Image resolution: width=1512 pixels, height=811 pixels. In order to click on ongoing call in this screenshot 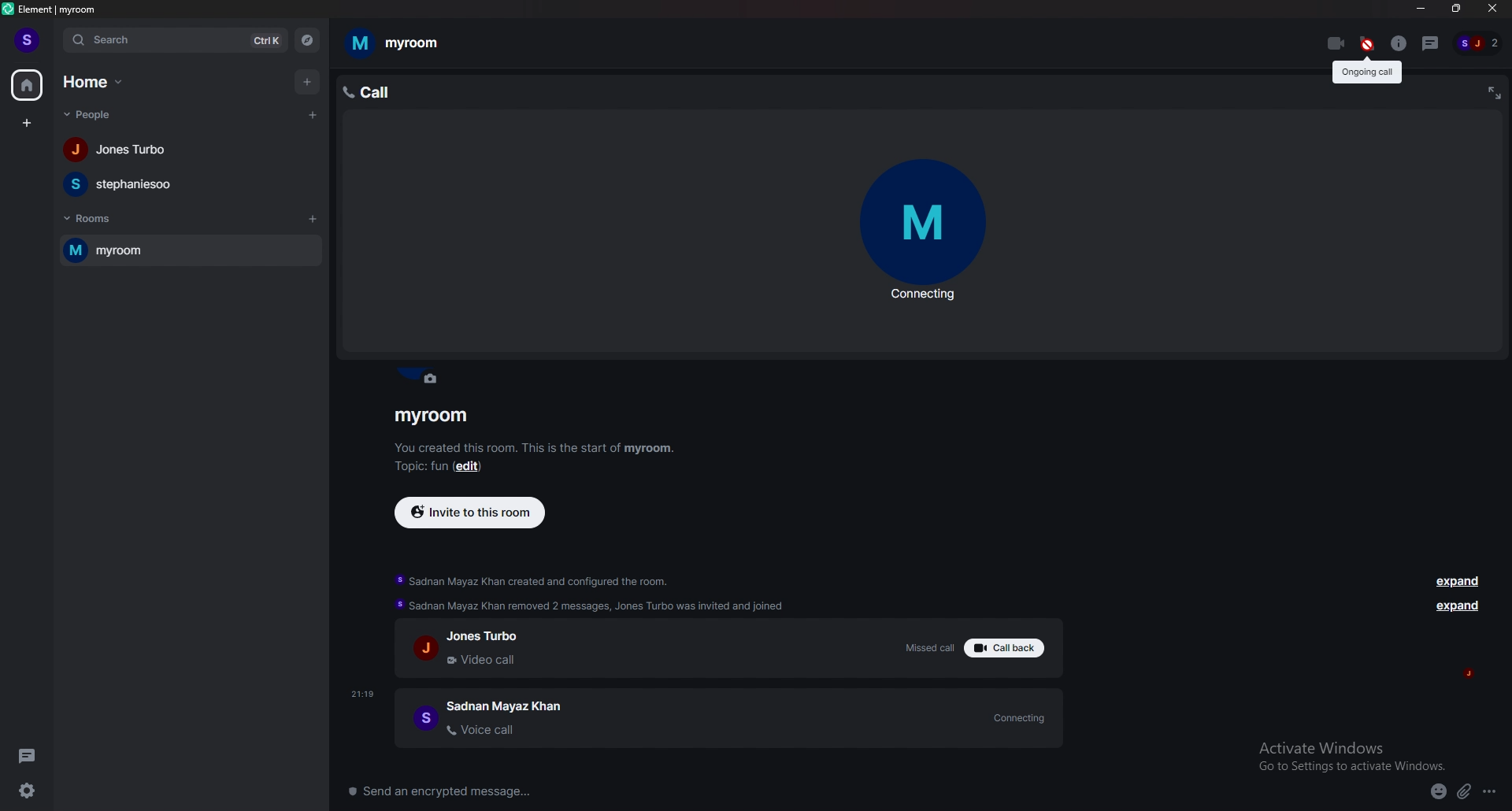, I will do `click(1370, 75)`.